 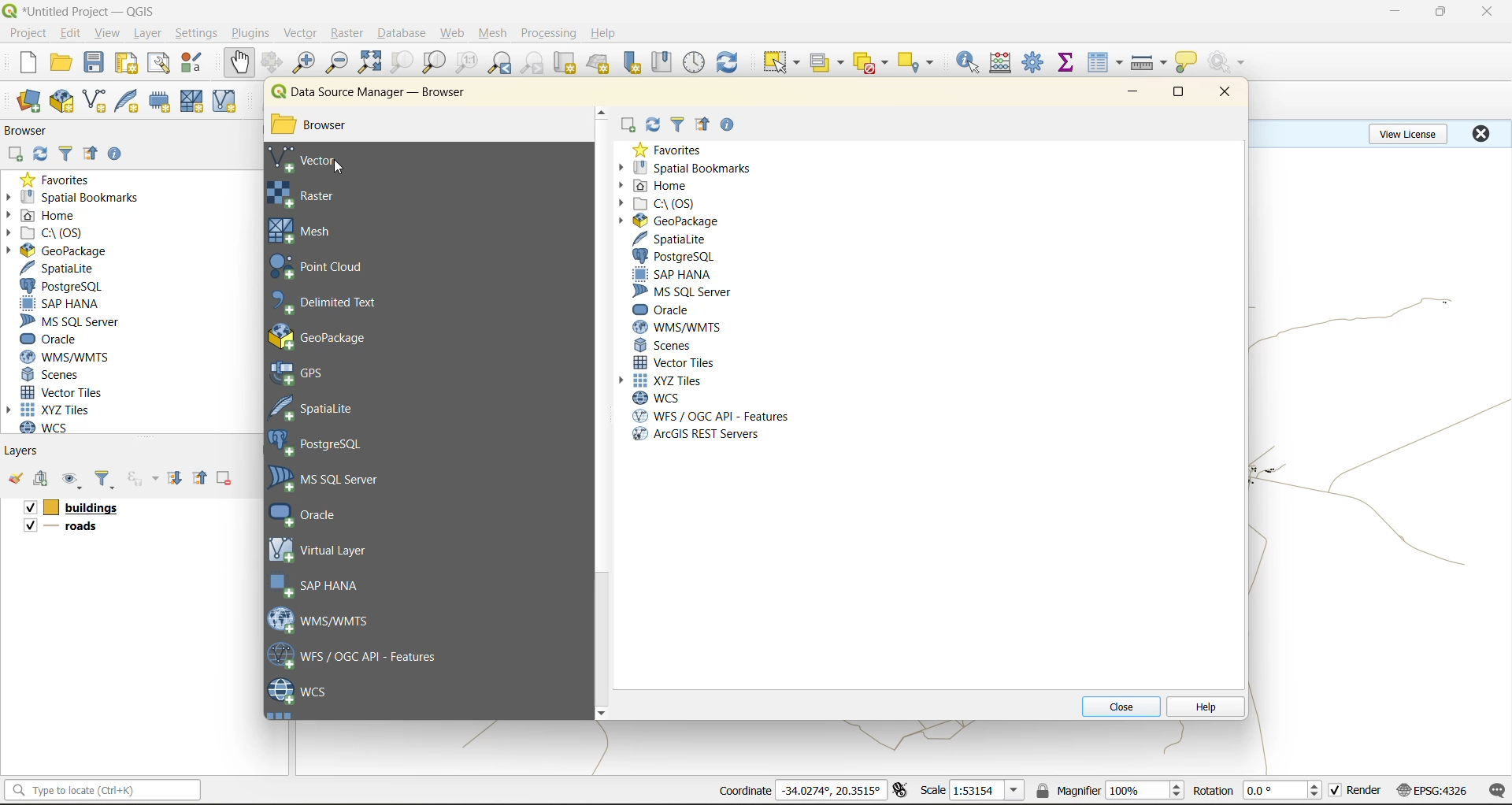 I want to click on refresh, so click(x=37, y=156).